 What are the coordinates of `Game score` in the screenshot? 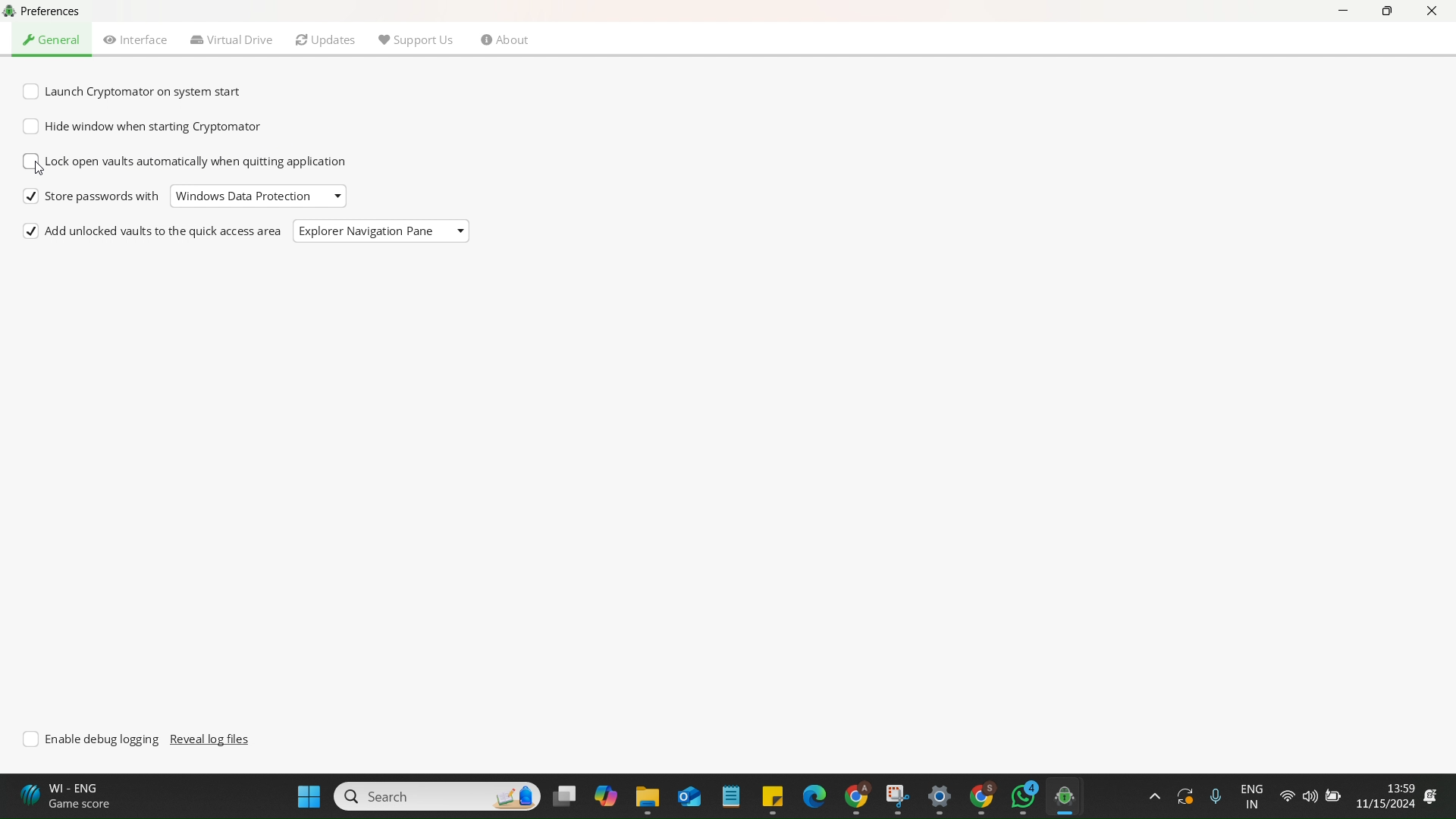 It's located at (69, 796).